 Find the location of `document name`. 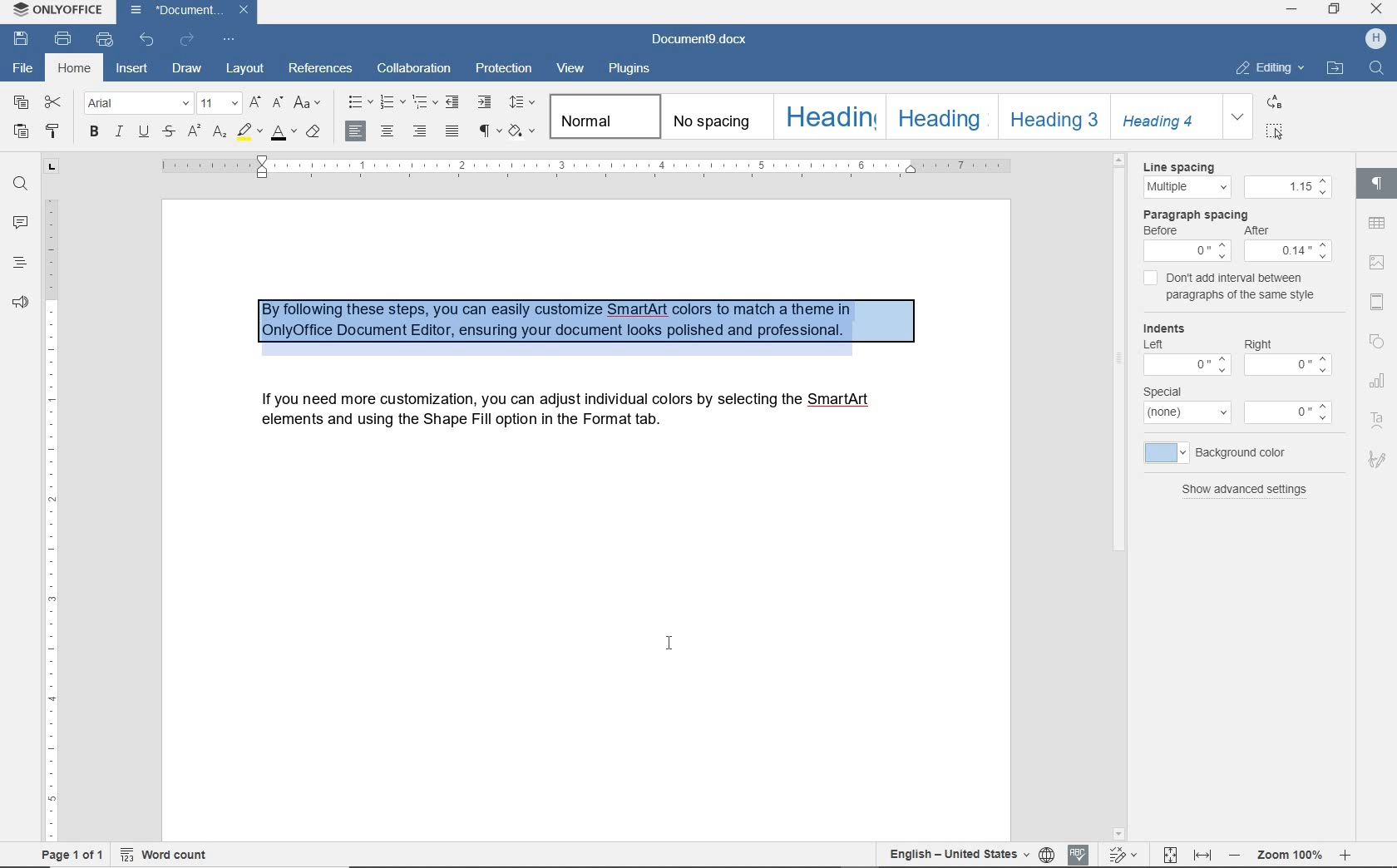

document name is located at coordinates (173, 12).